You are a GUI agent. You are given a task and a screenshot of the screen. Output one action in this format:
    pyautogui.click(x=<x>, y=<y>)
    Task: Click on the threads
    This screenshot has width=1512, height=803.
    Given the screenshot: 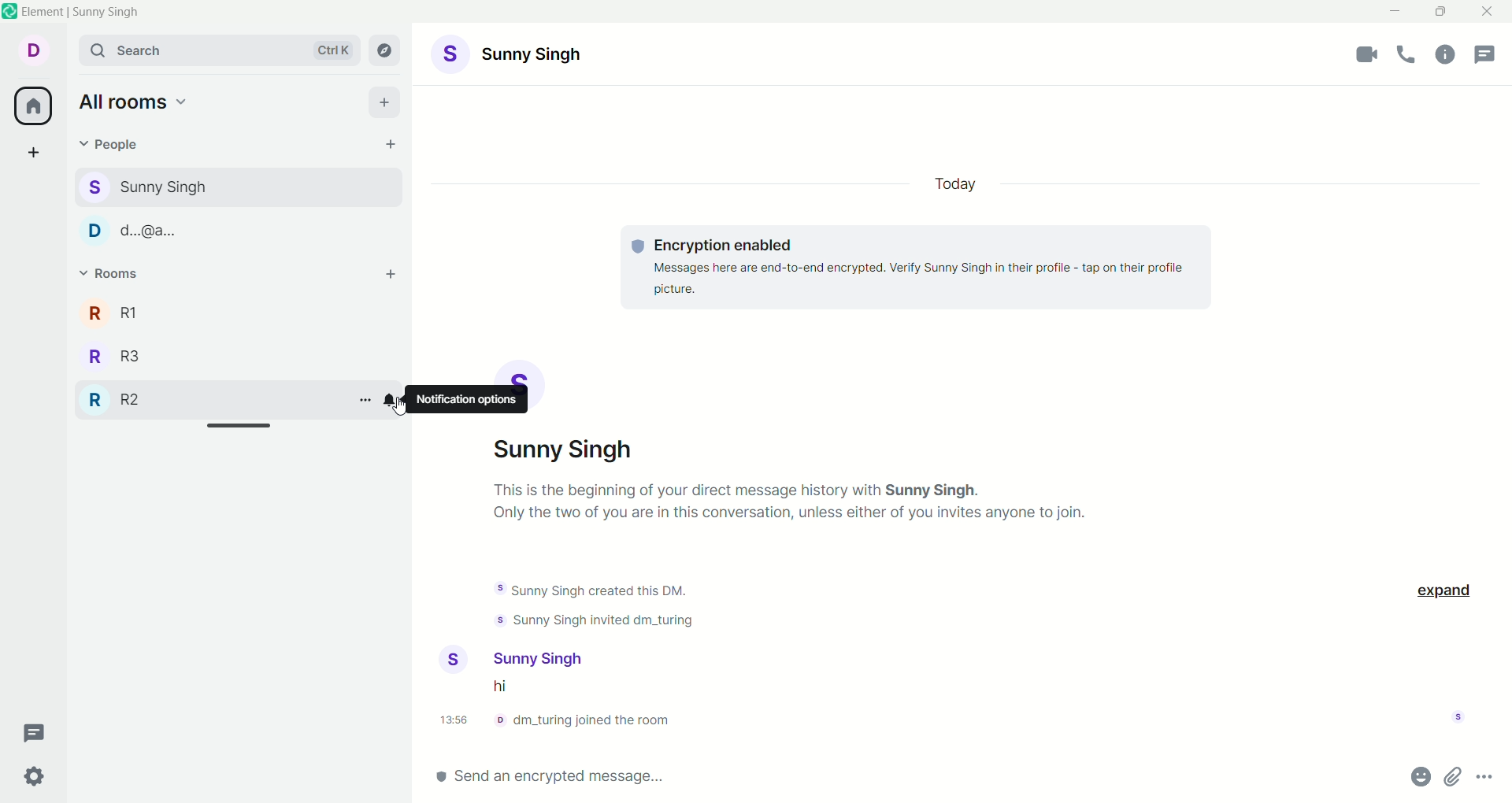 What is the action you would take?
    pyautogui.click(x=1488, y=50)
    